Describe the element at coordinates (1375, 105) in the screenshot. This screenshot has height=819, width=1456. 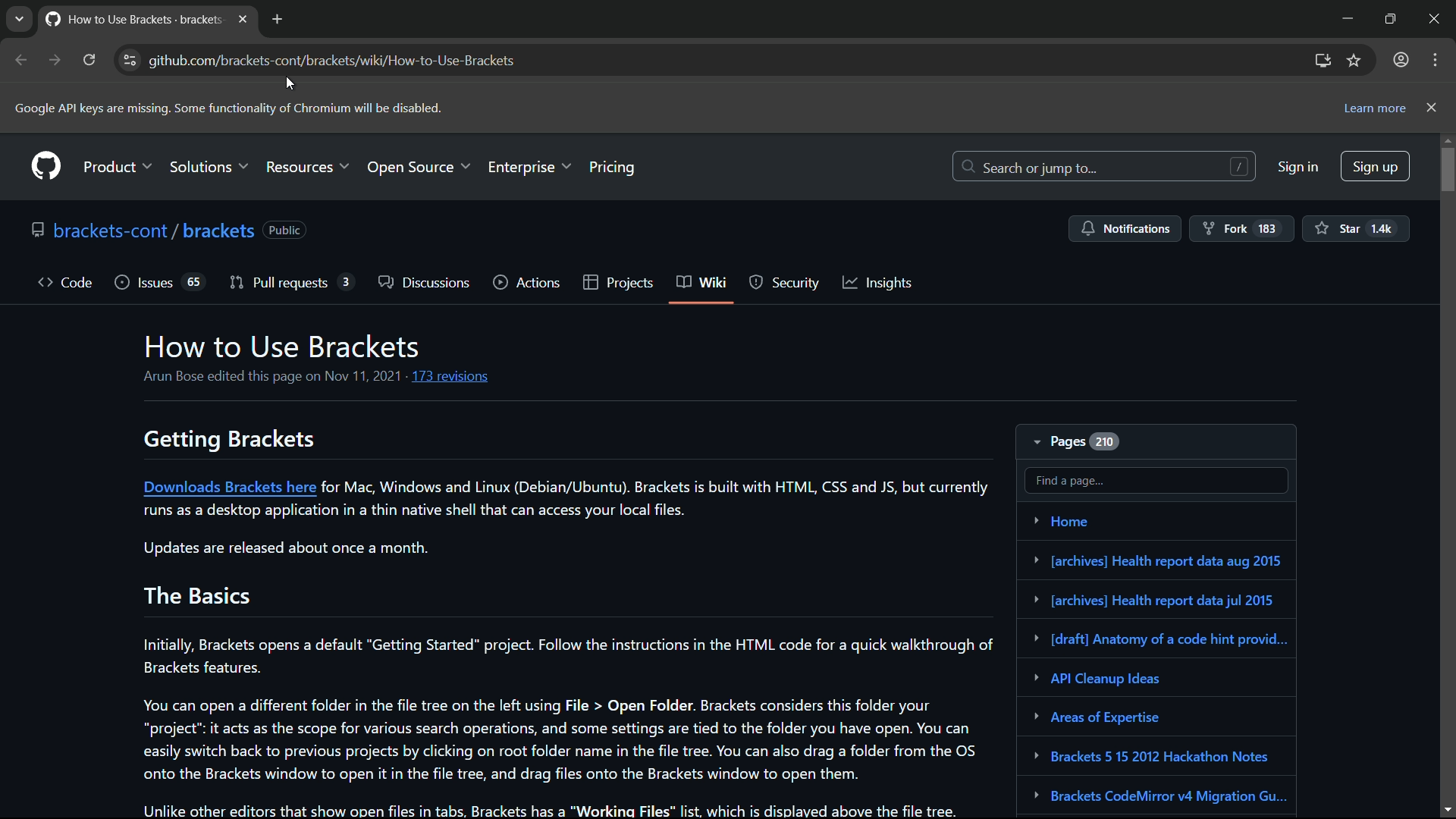
I see `learn more` at that location.